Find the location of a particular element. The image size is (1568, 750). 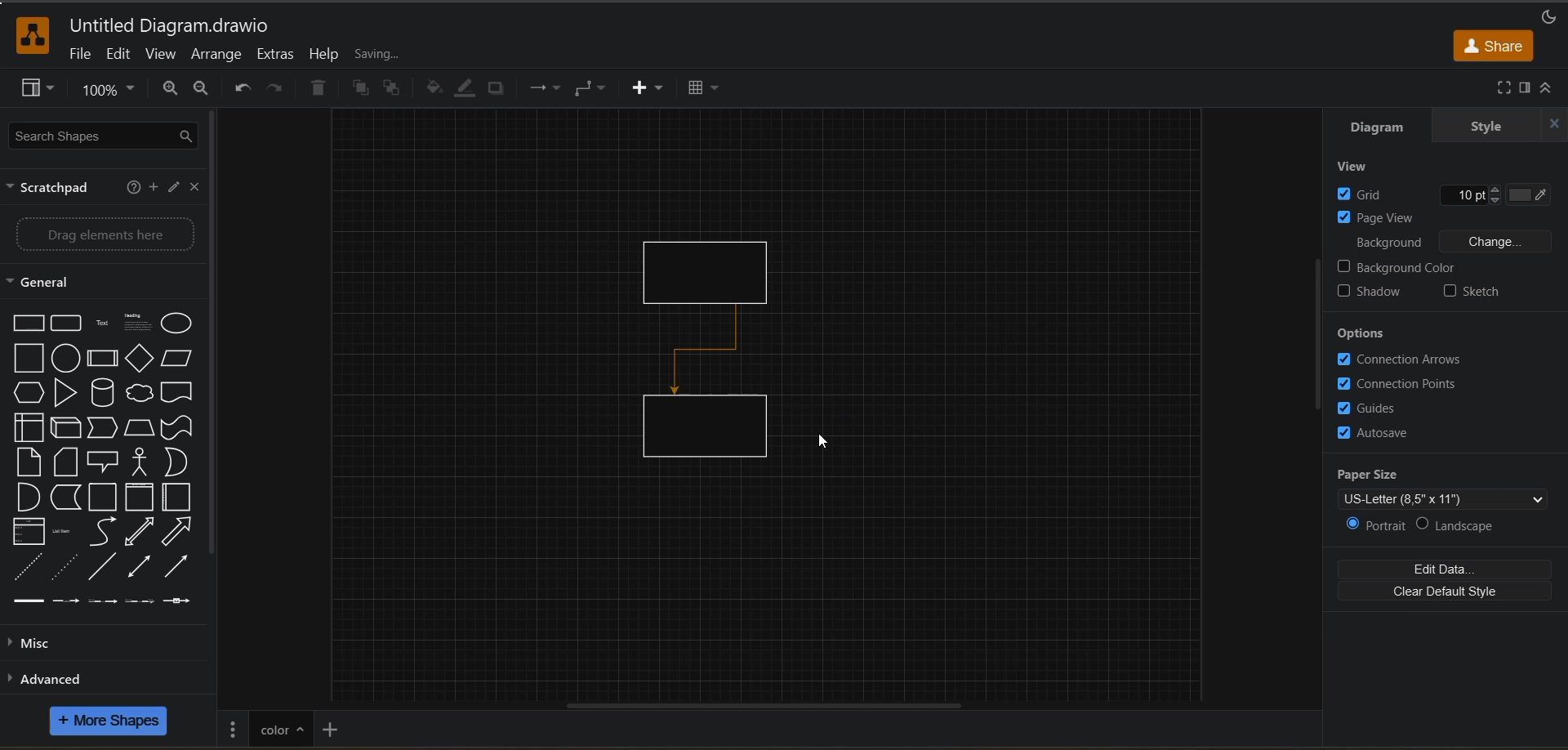

Container is located at coordinates (105, 498).